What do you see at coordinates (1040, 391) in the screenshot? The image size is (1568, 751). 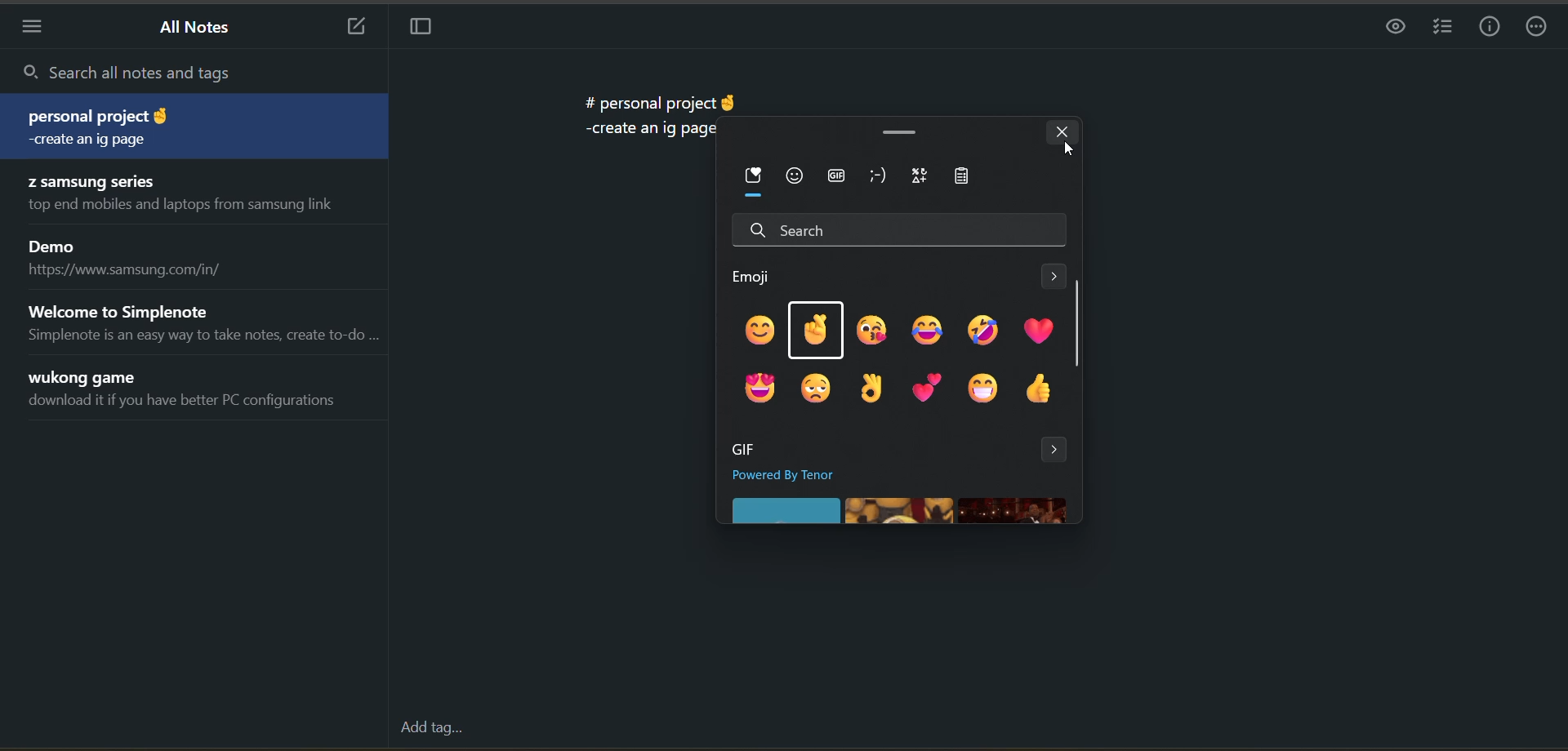 I see `emoji 12` at bounding box center [1040, 391].